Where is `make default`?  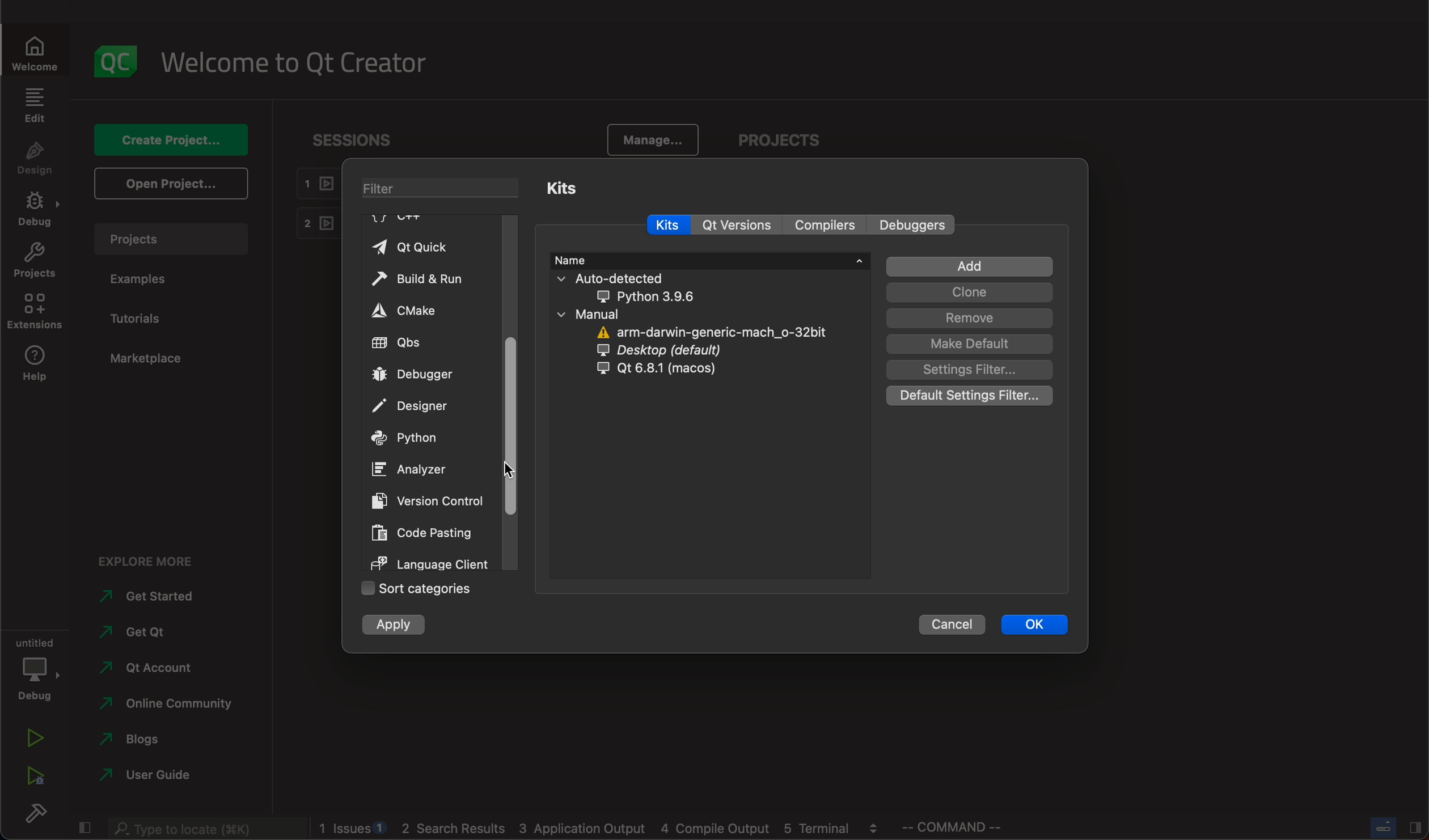
make default is located at coordinates (973, 345).